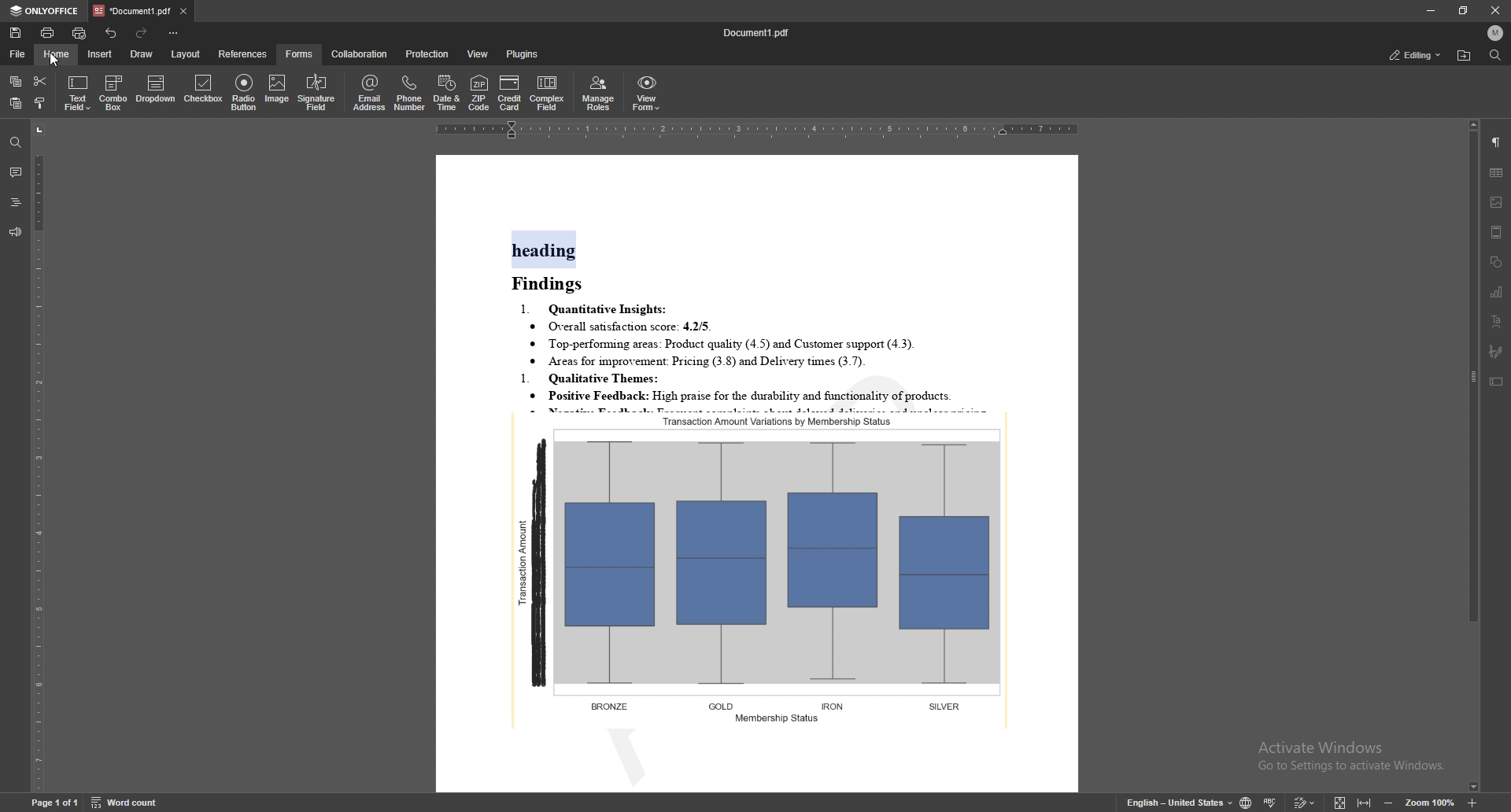 The image size is (1511, 812). I want to click on zoom in, so click(1475, 803).